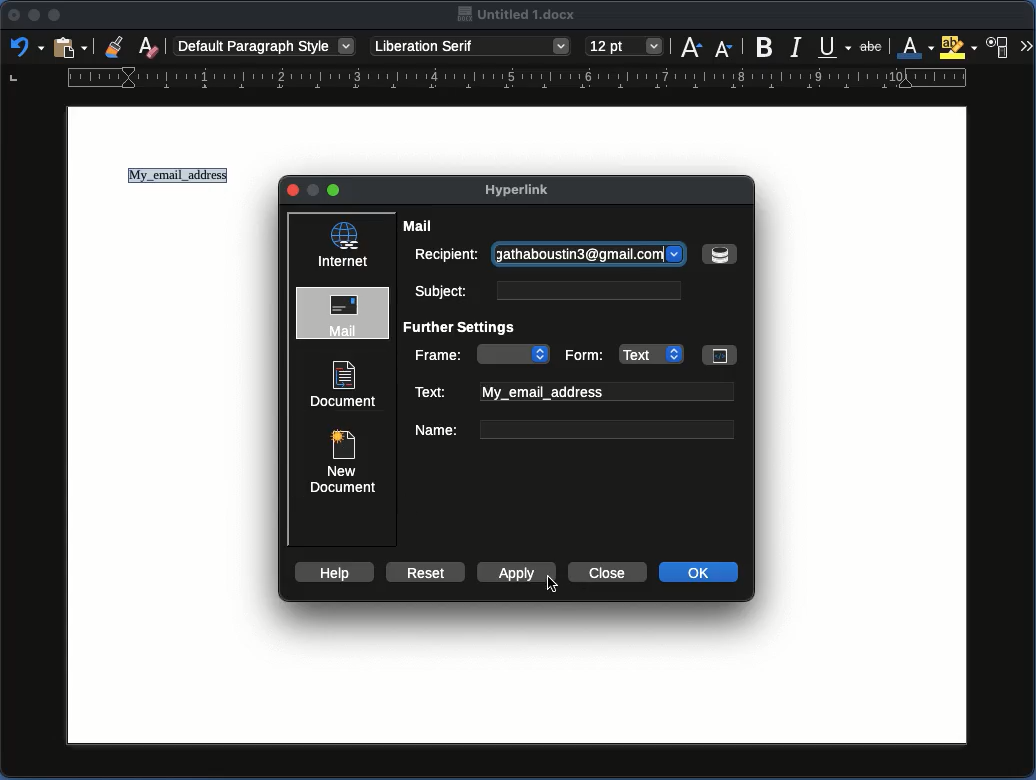  I want to click on Form, so click(648, 353).